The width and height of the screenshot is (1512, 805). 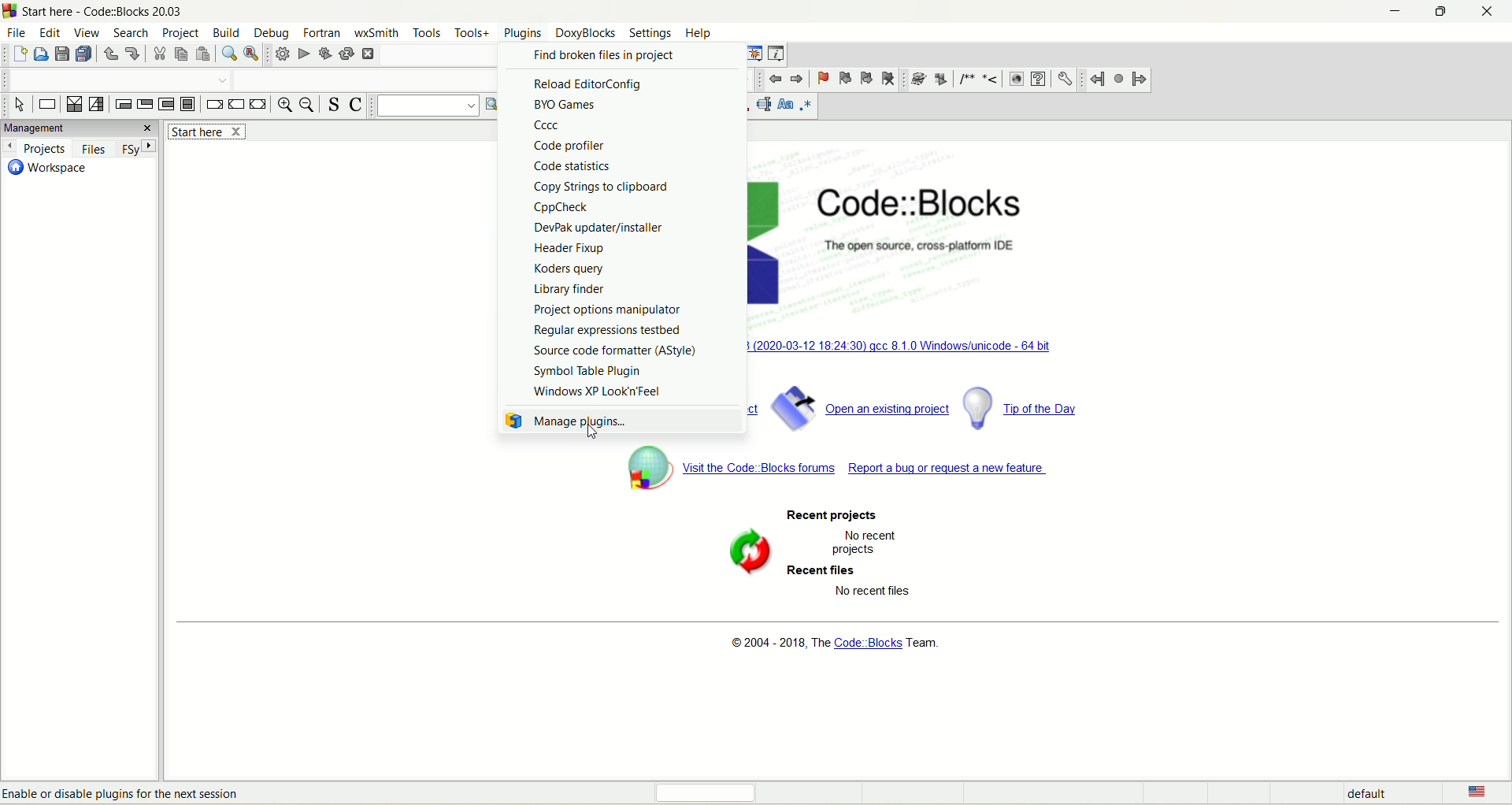 What do you see at coordinates (917, 80) in the screenshot?
I see `Run doxywizard` at bounding box center [917, 80].